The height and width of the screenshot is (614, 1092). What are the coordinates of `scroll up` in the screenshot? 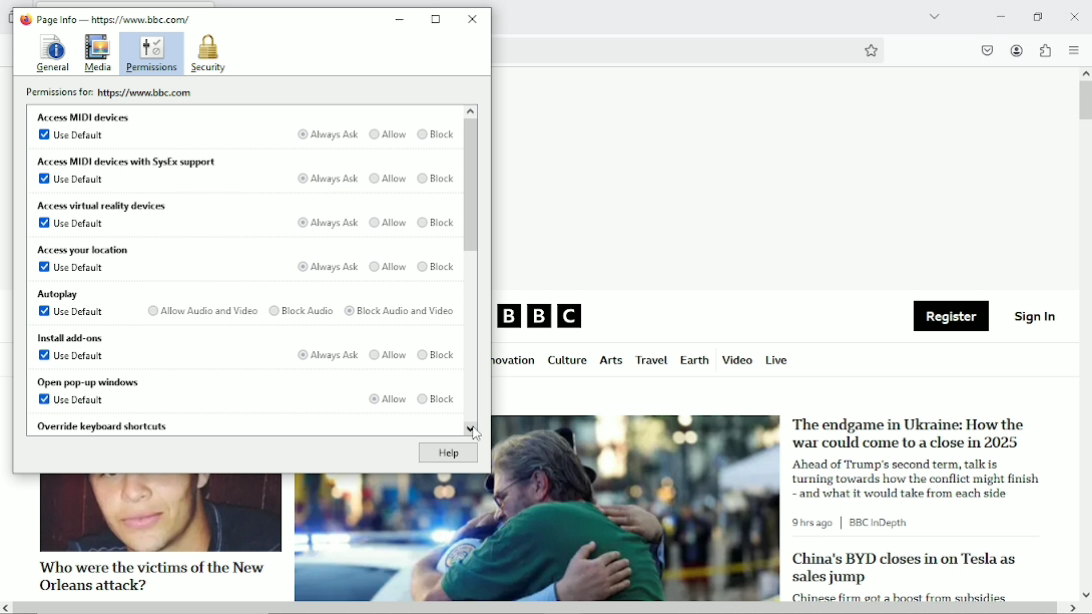 It's located at (1085, 73).